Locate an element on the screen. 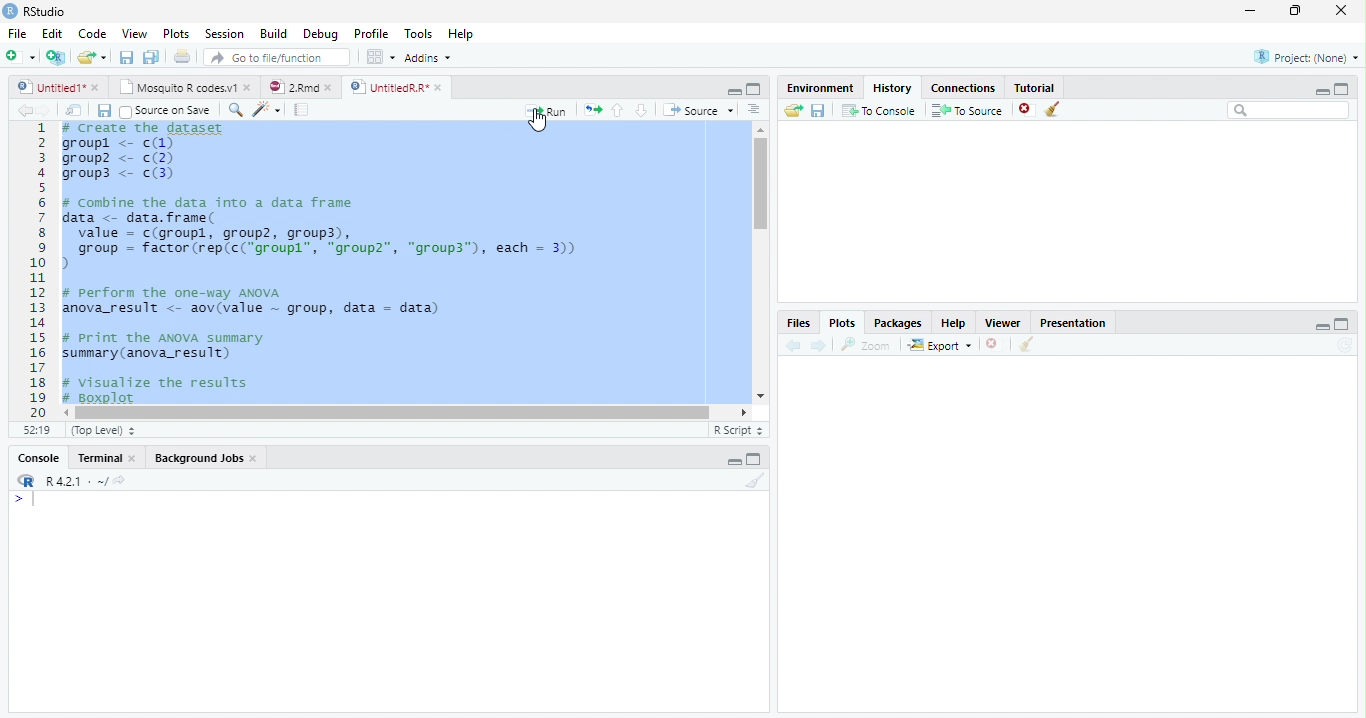 The height and width of the screenshot is (718, 1366). Project (None) is located at coordinates (1305, 57).